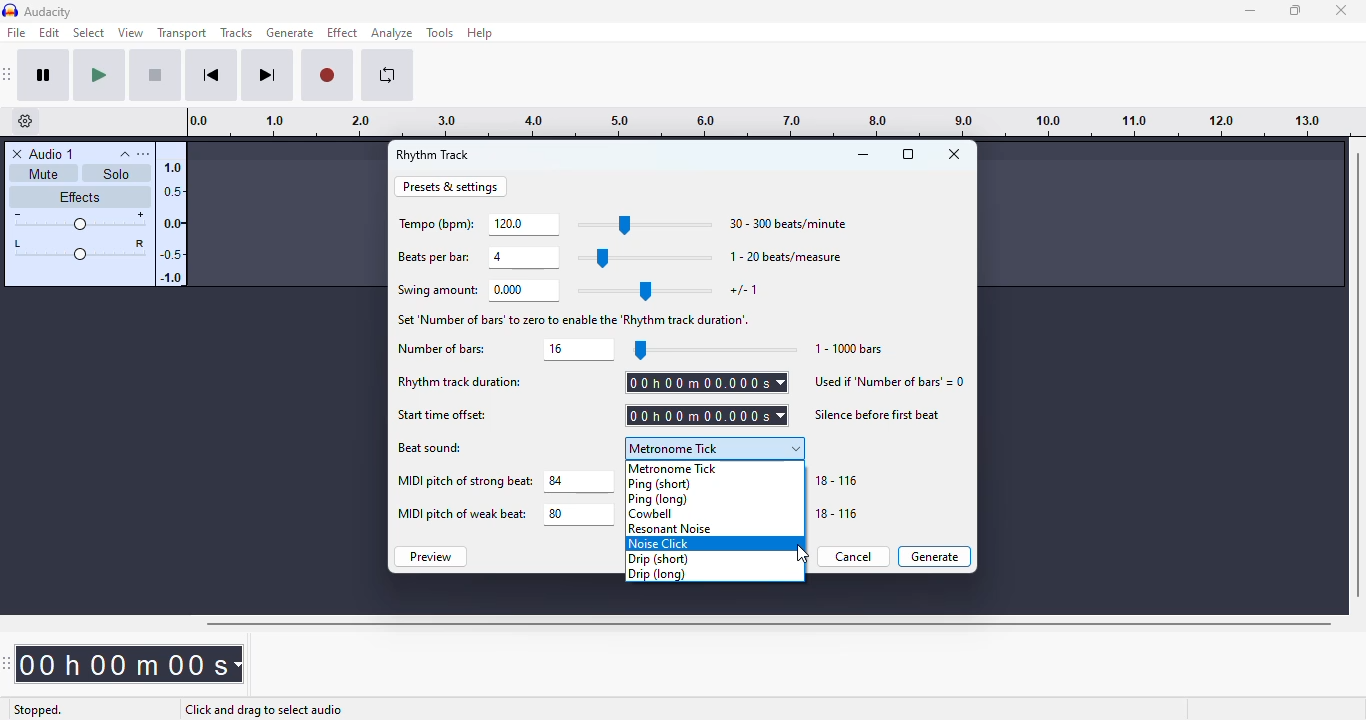 The width and height of the screenshot is (1366, 720). I want to click on 30-300 beats/minute, so click(786, 223).